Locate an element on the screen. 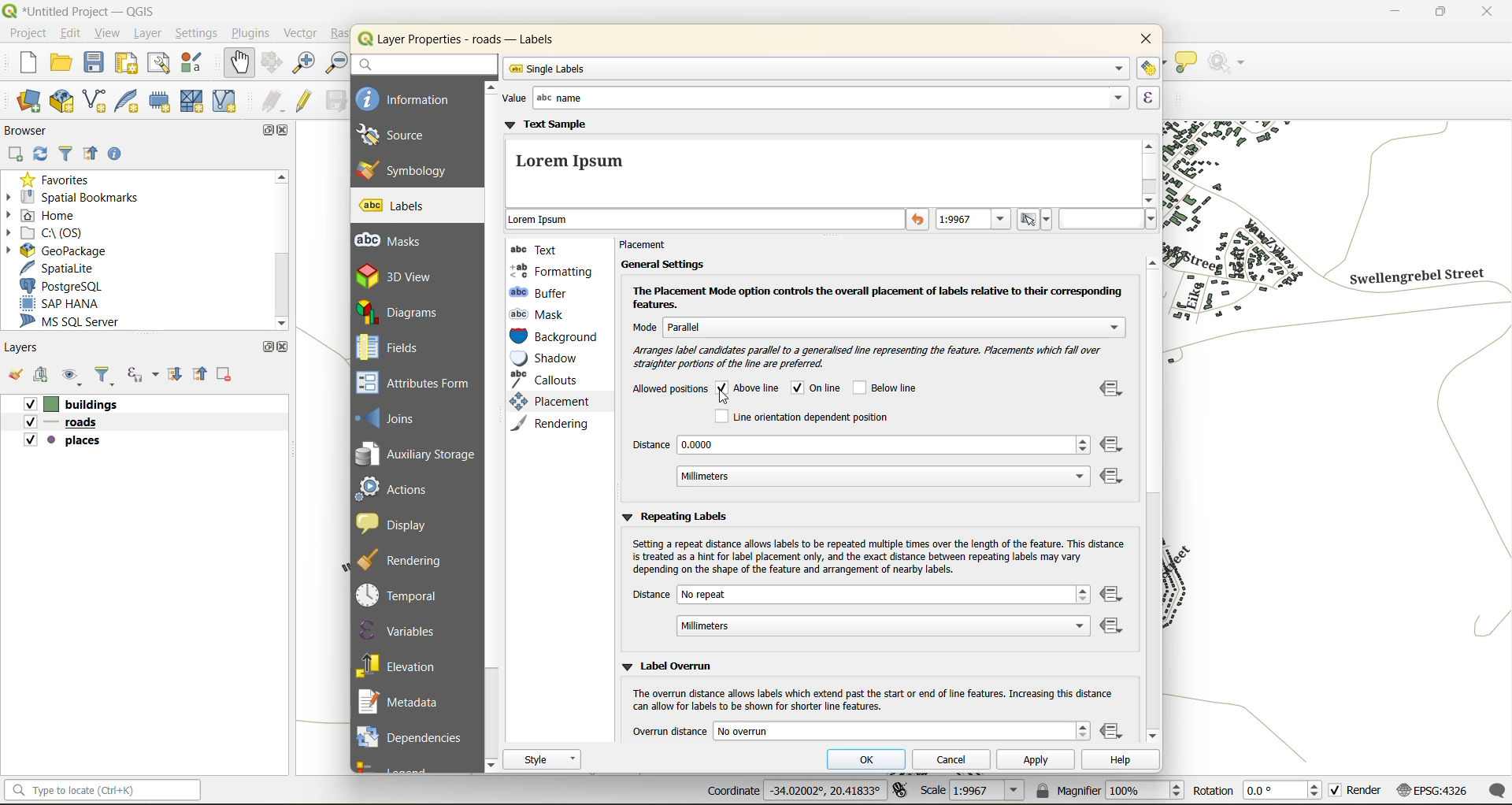 Image resolution: width=1512 pixels, height=805 pixels. information is located at coordinates (406, 98).